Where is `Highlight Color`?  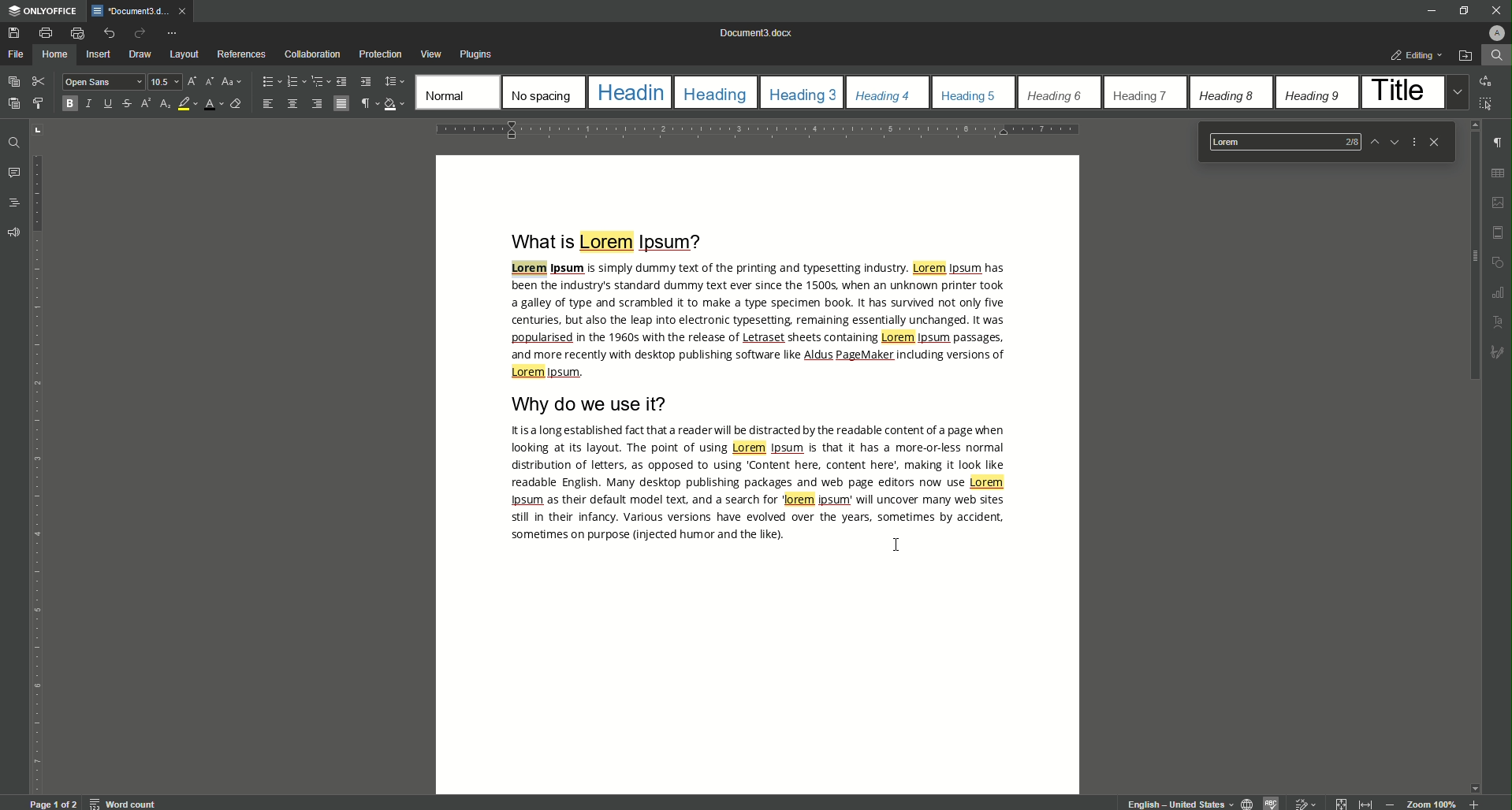 Highlight Color is located at coordinates (186, 104).